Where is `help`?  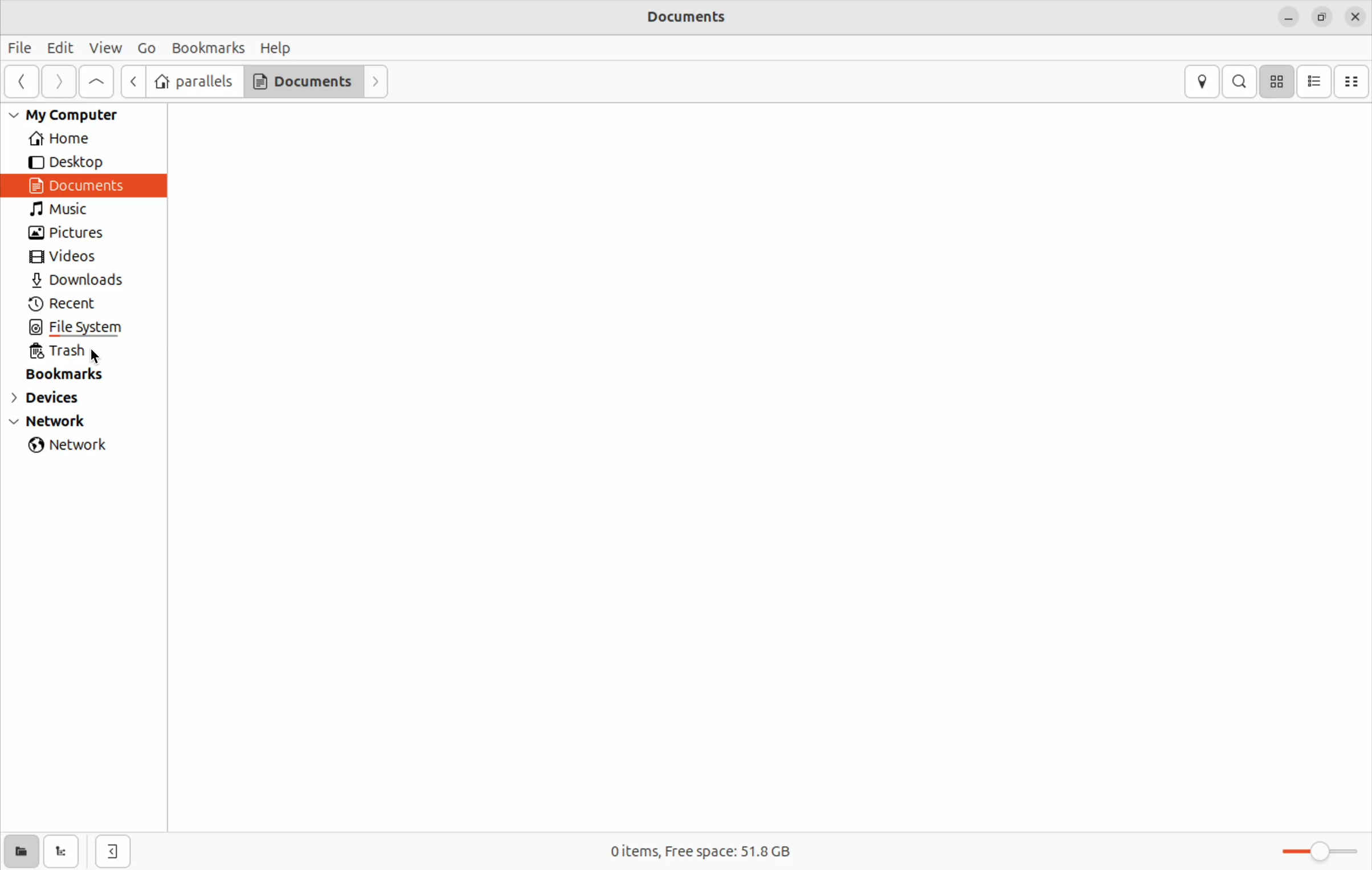 help is located at coordinates (276, 47).